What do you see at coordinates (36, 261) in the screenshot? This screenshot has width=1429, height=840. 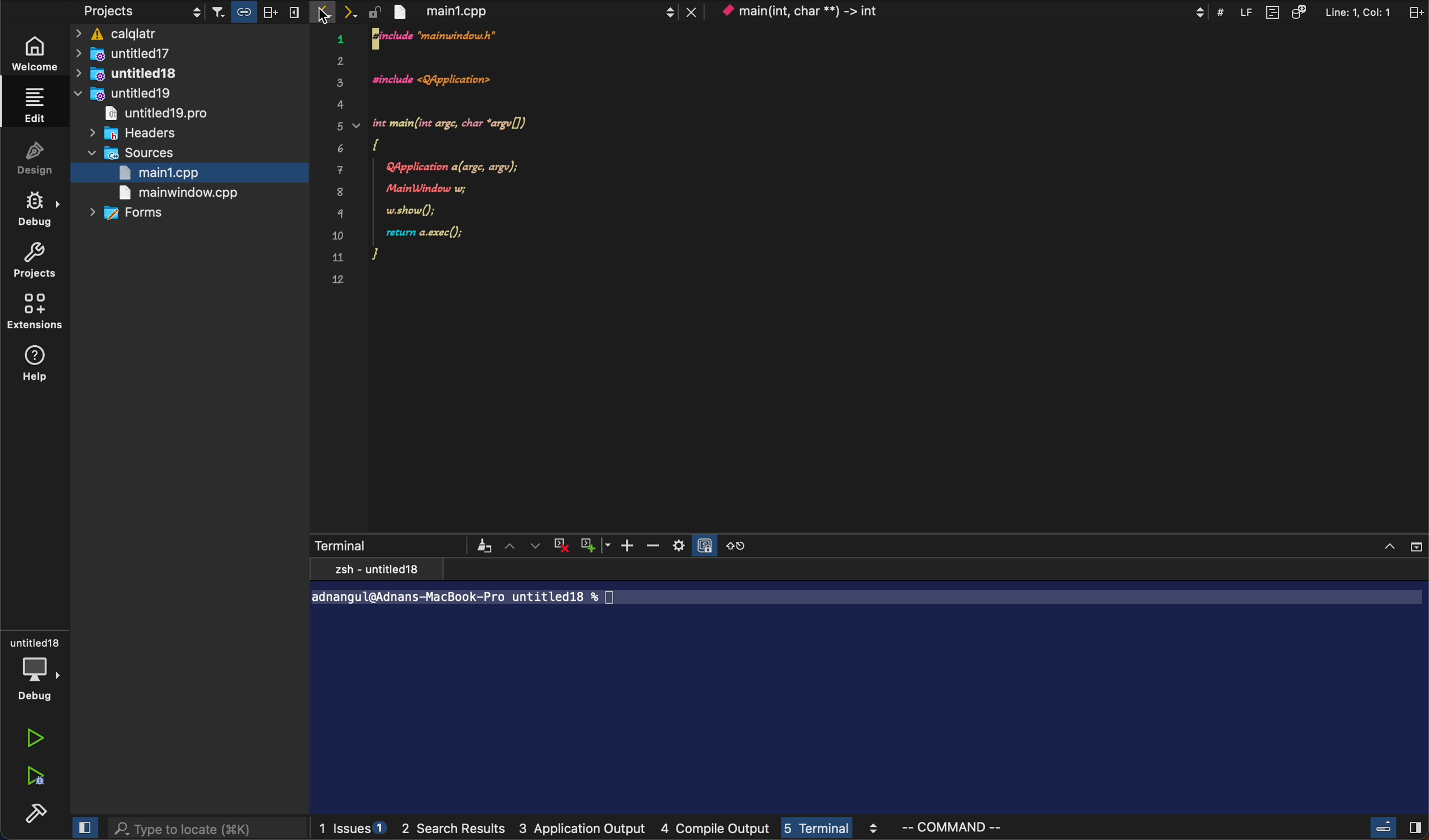 I see `project` at bounding box center [36, 261].